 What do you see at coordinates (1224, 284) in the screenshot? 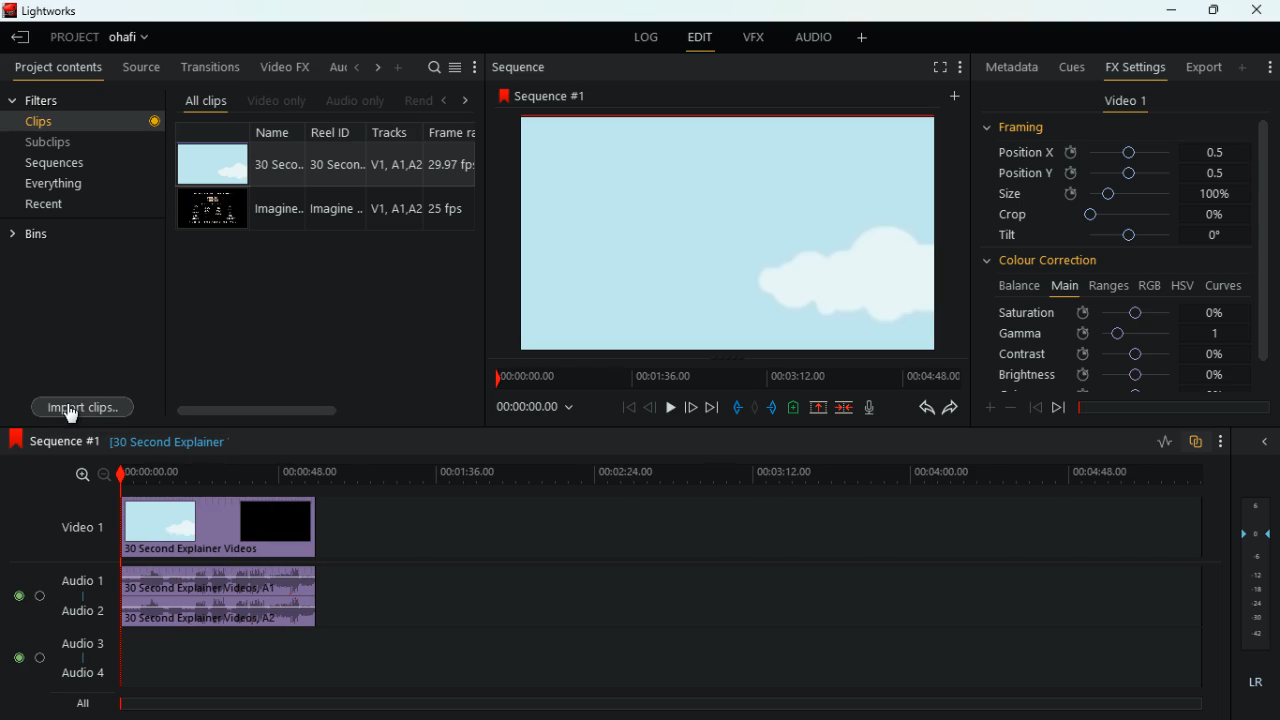
I see `curves` at bounding box center [1224, 284].